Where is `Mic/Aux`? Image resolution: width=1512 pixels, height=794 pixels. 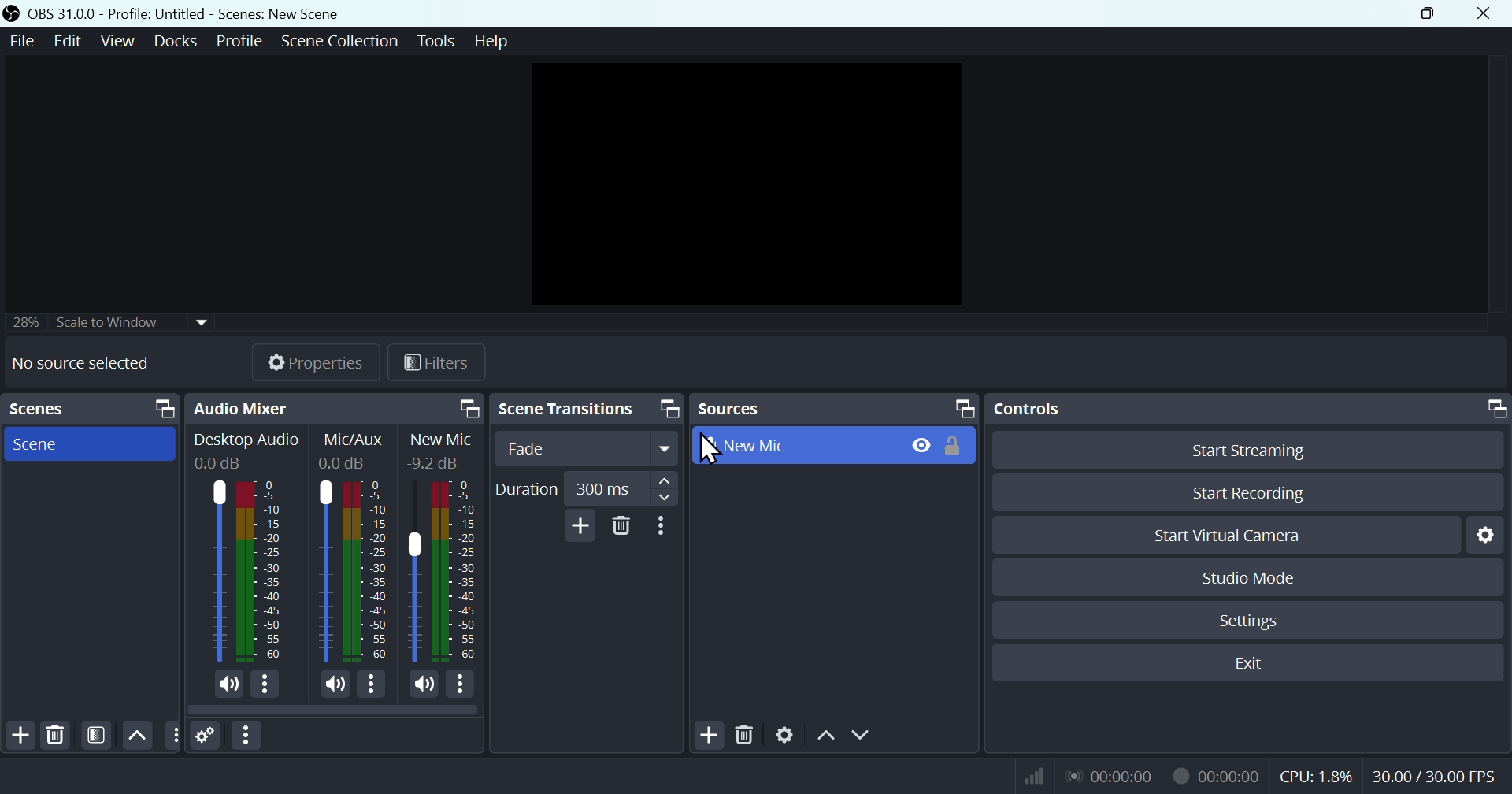
Mic/Aux is located at coordinates (322, 570).